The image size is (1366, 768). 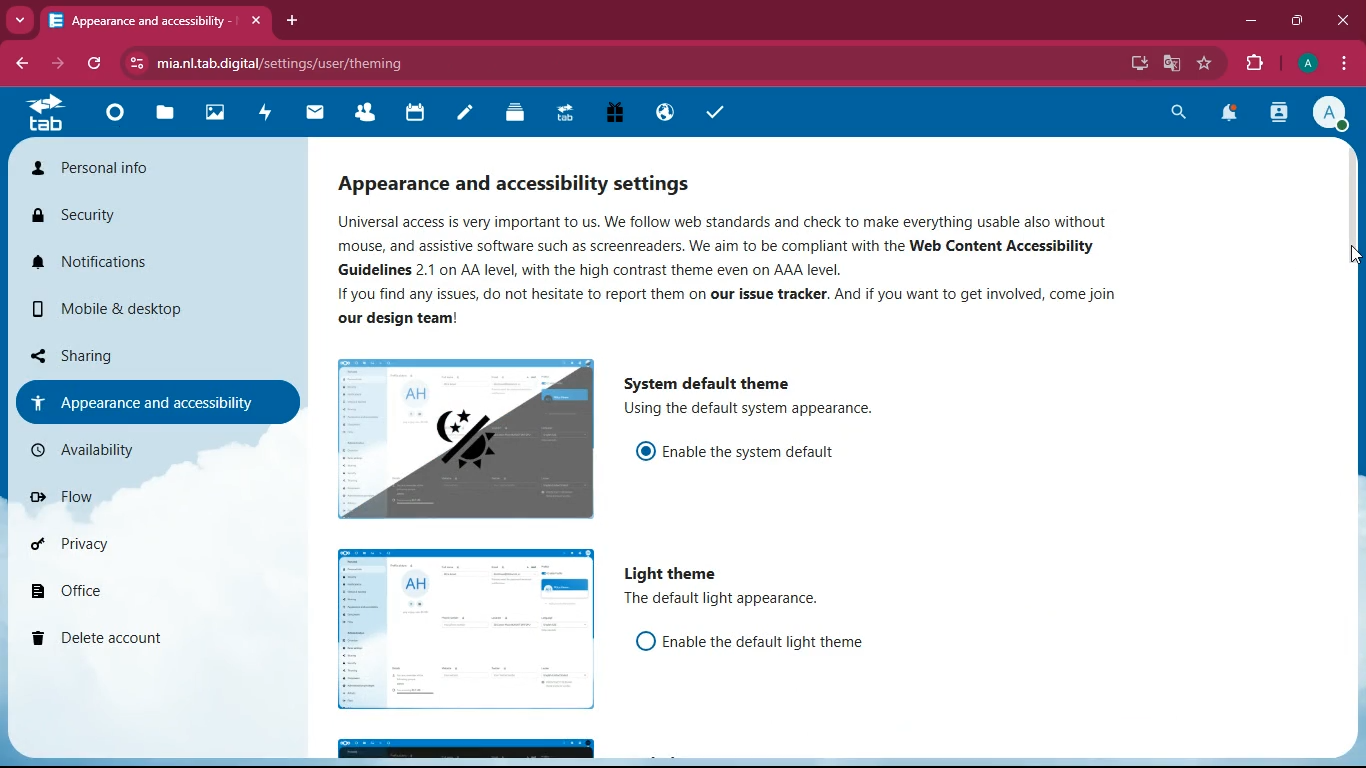 I want to click on delete account, so click(x=137, y=637).